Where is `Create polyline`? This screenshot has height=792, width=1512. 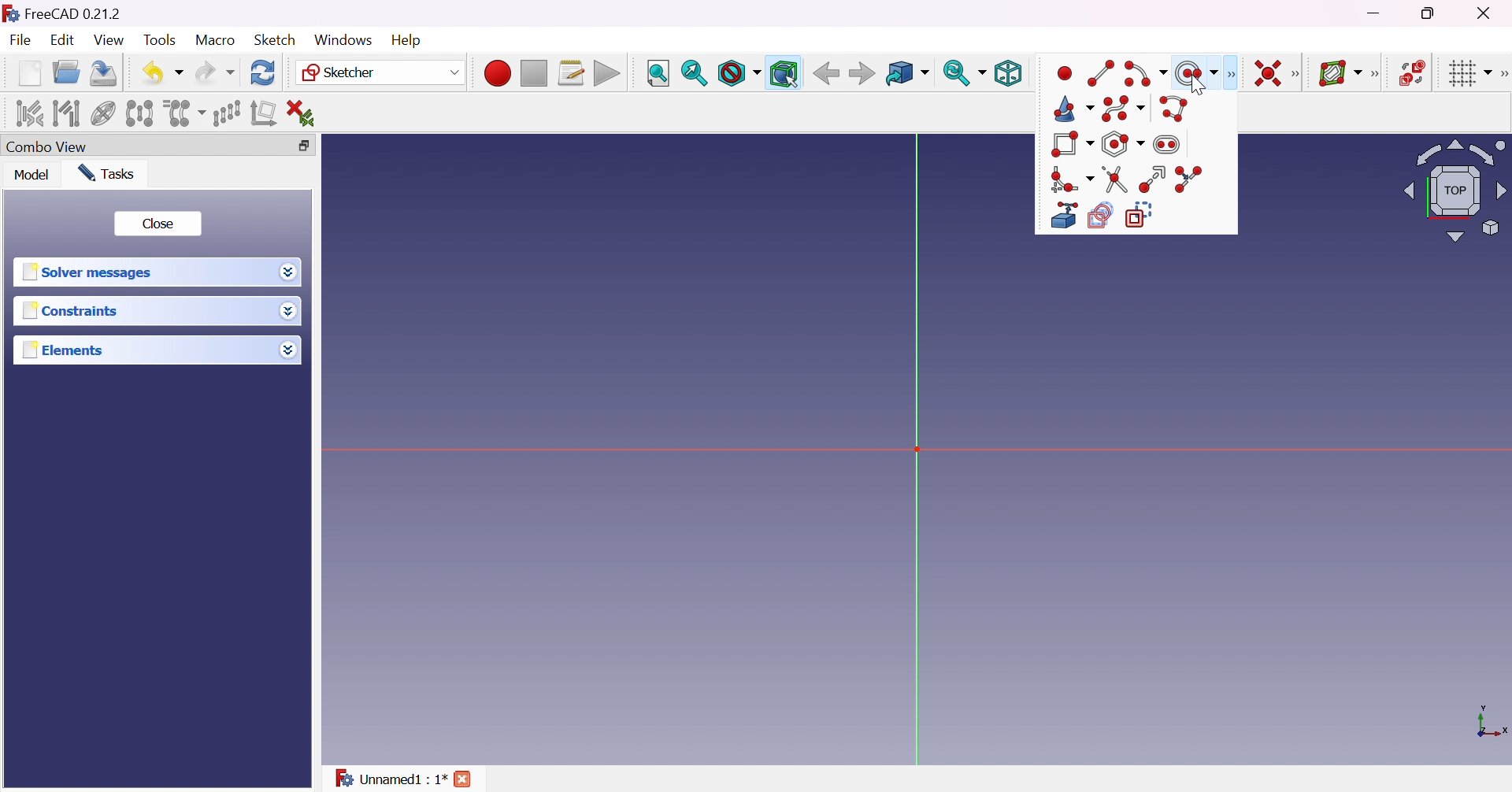 Create polyline is located at coordinates (1175, 108).